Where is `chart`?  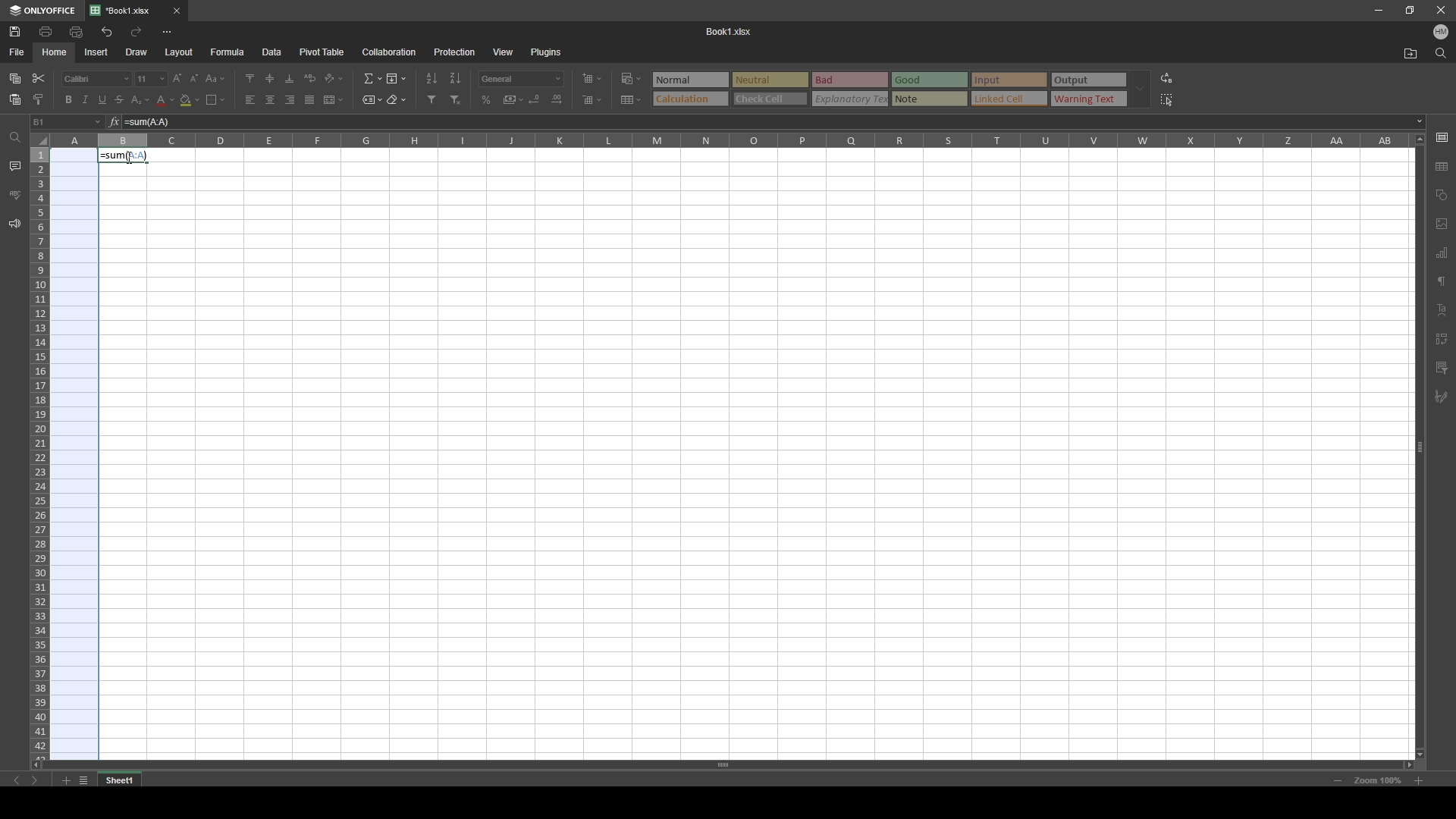 chart is located at coordinates (1442, 254).